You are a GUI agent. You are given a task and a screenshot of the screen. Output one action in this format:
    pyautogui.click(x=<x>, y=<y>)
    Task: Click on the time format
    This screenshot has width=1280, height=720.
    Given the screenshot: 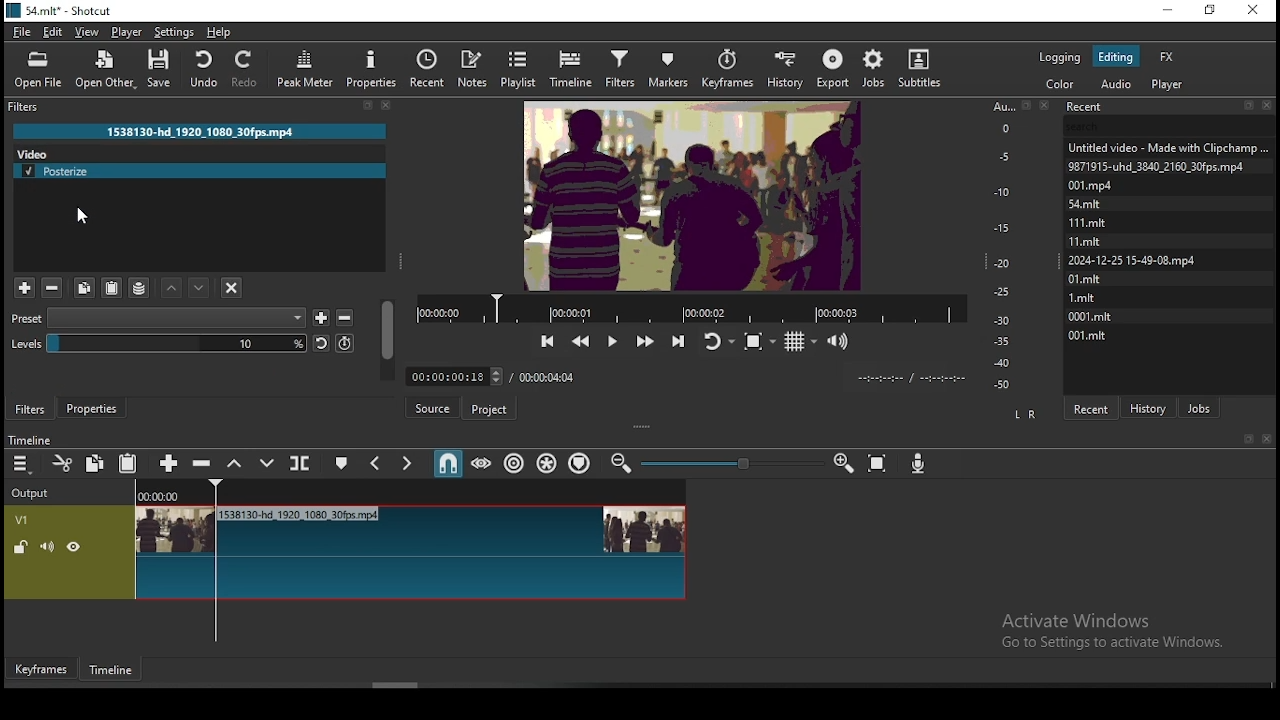 What is the action you would take?
    pyautogui.click(x=909, y=376)
    